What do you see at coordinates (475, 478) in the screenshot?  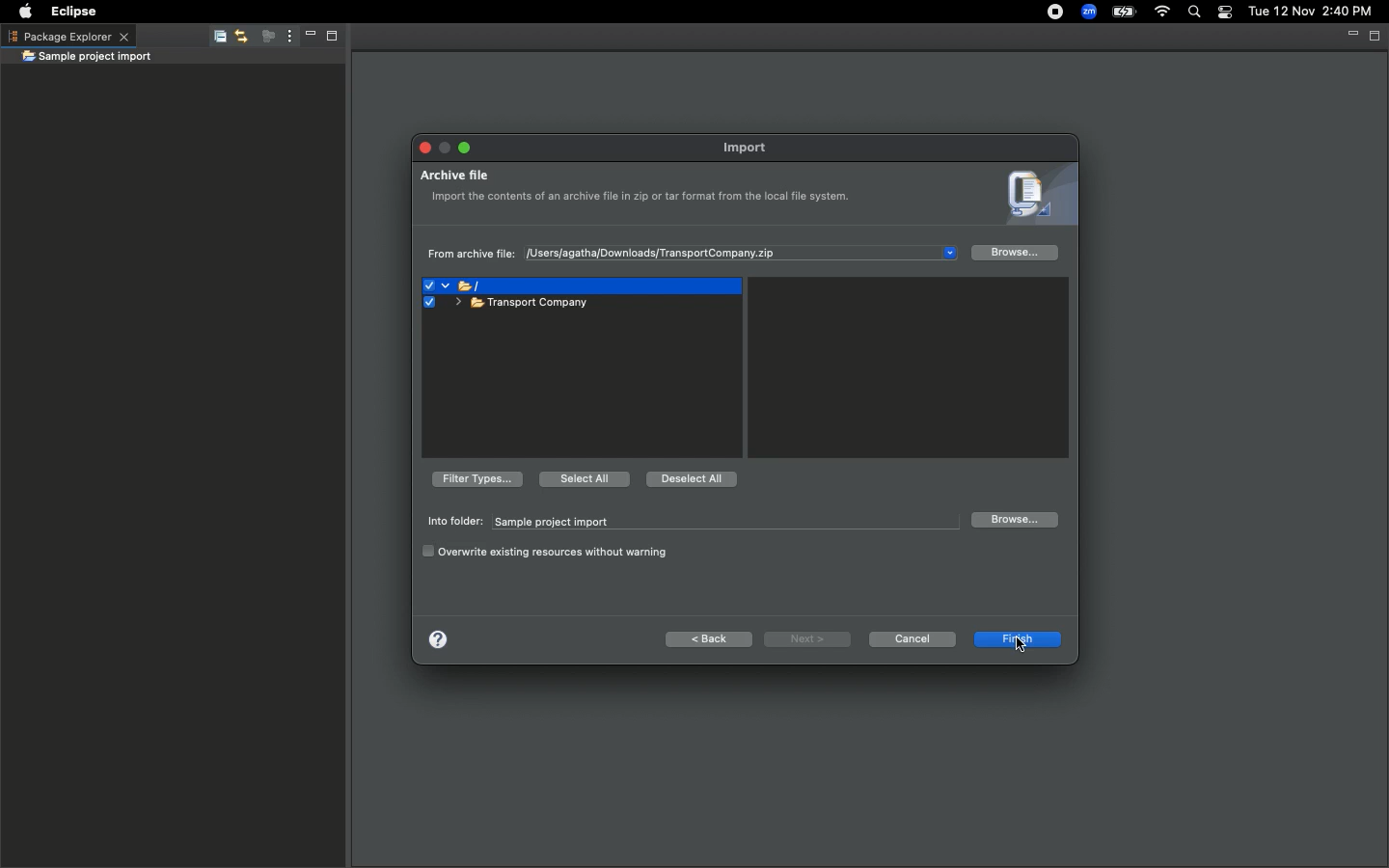 I see `File types` at bounding box center [475, 478].